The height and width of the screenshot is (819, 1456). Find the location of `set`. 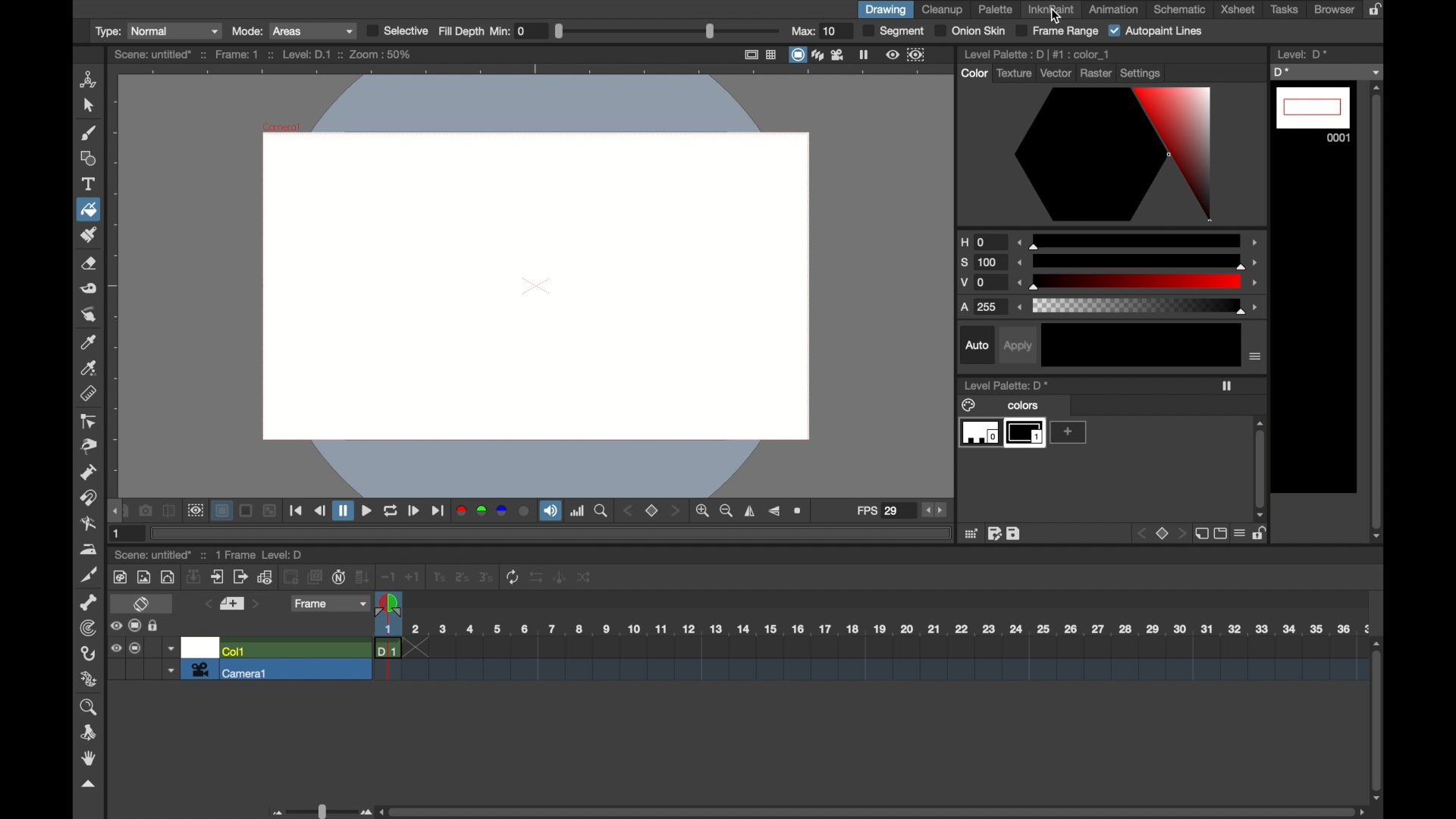

set is located at coordinates (233, 604).